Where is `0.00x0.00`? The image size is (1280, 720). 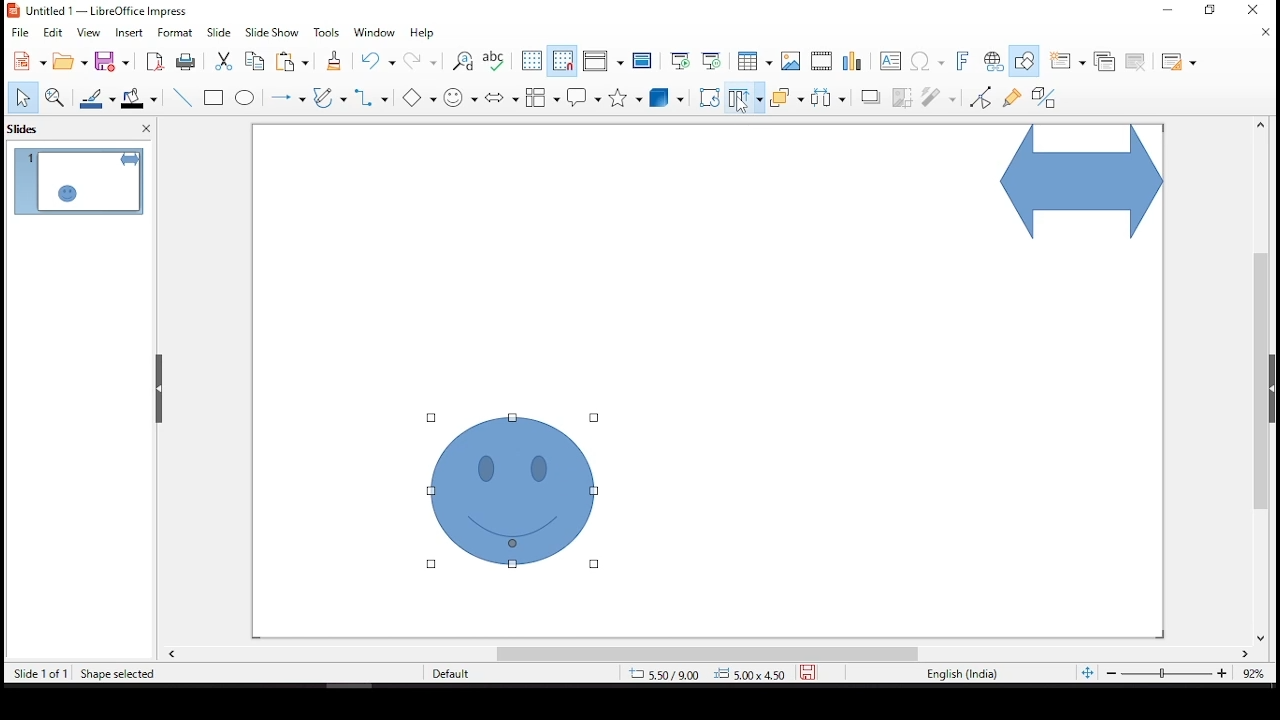
0.00x0.00 is located at coordinates (749, 673).